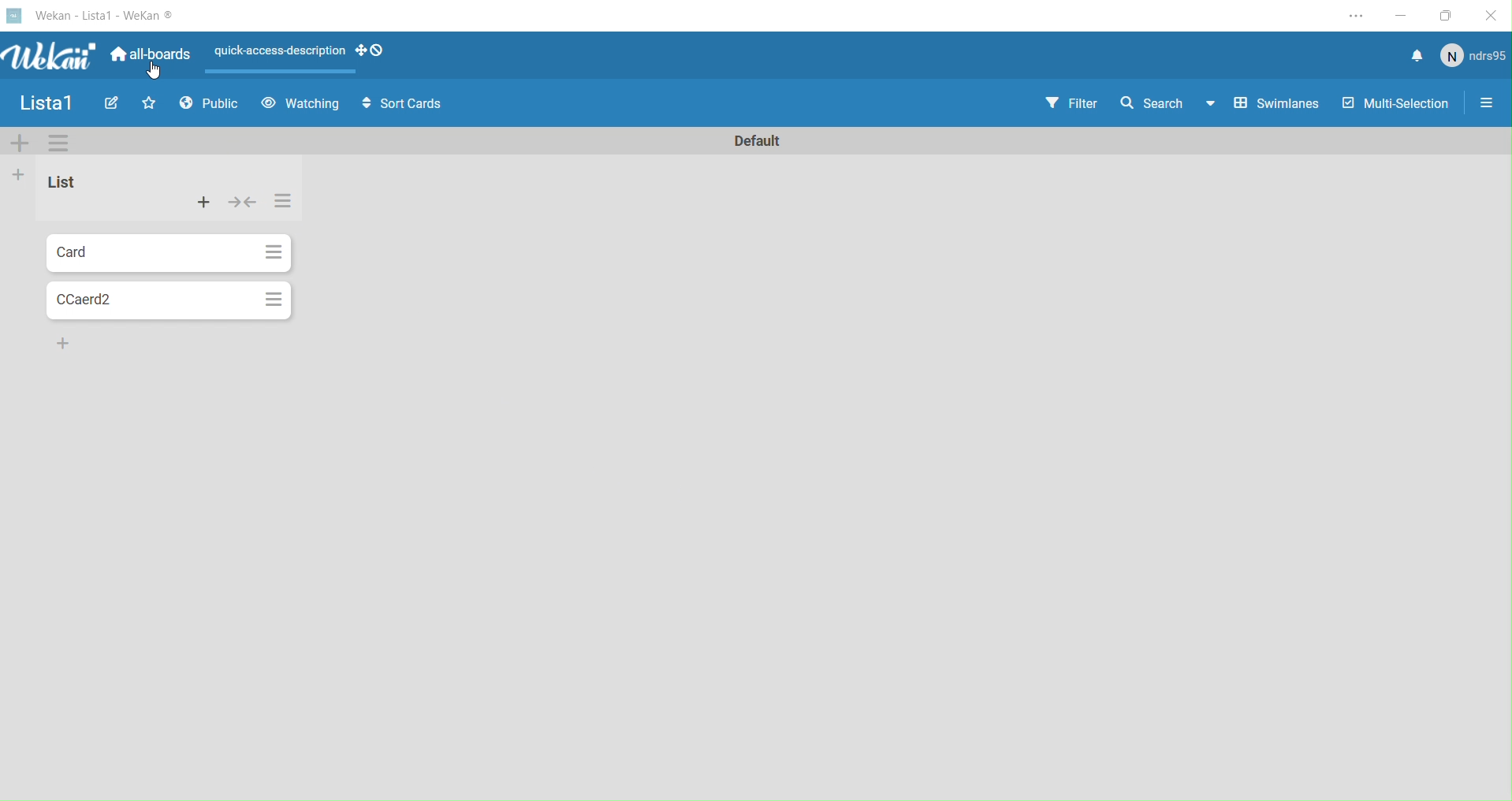  Describe the element at coordinates (143, 253) in the screenshot. I see `Card` at that location.